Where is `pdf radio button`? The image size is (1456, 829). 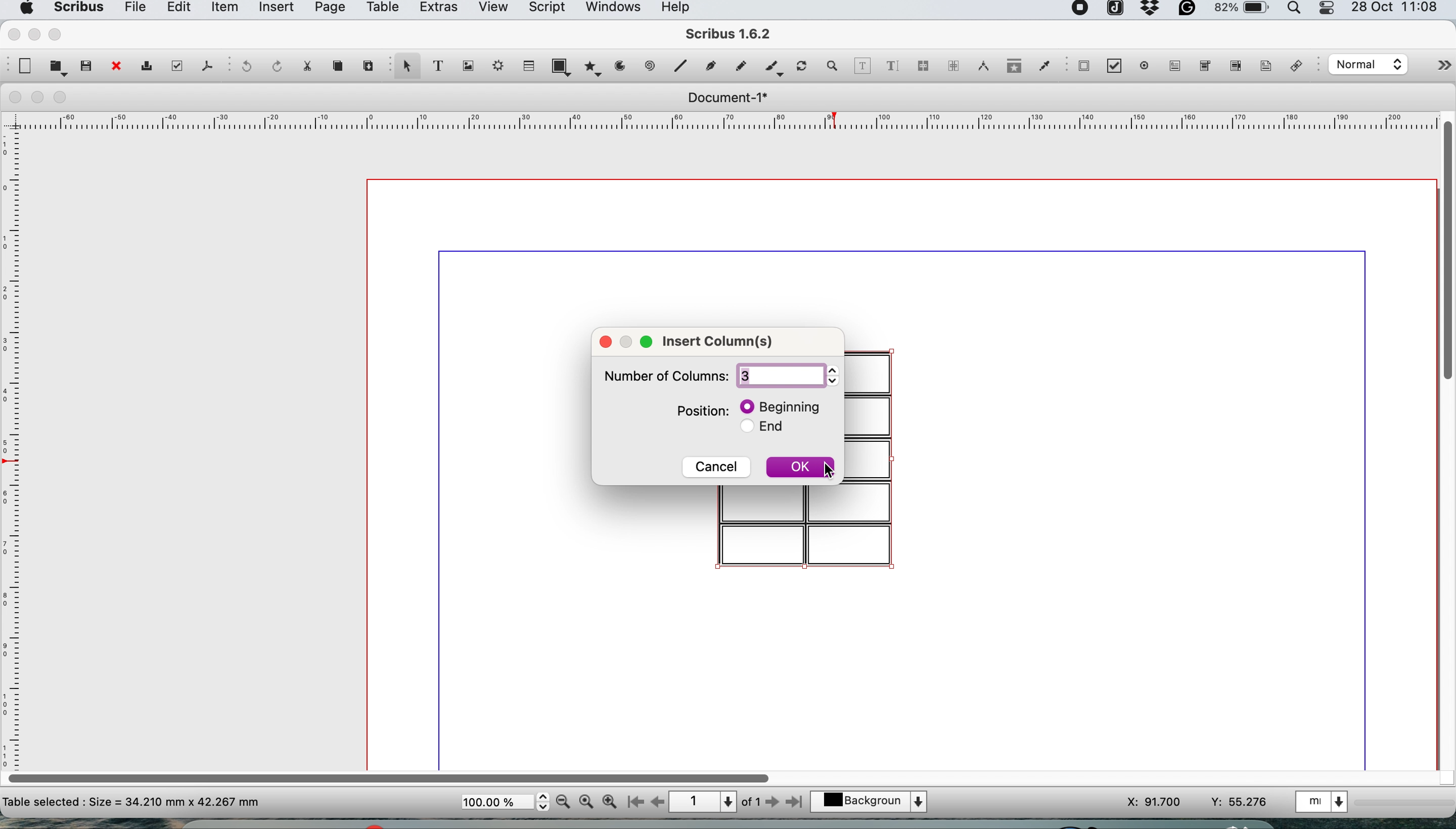 pdf radio button is located at coordinates (1145, 65).